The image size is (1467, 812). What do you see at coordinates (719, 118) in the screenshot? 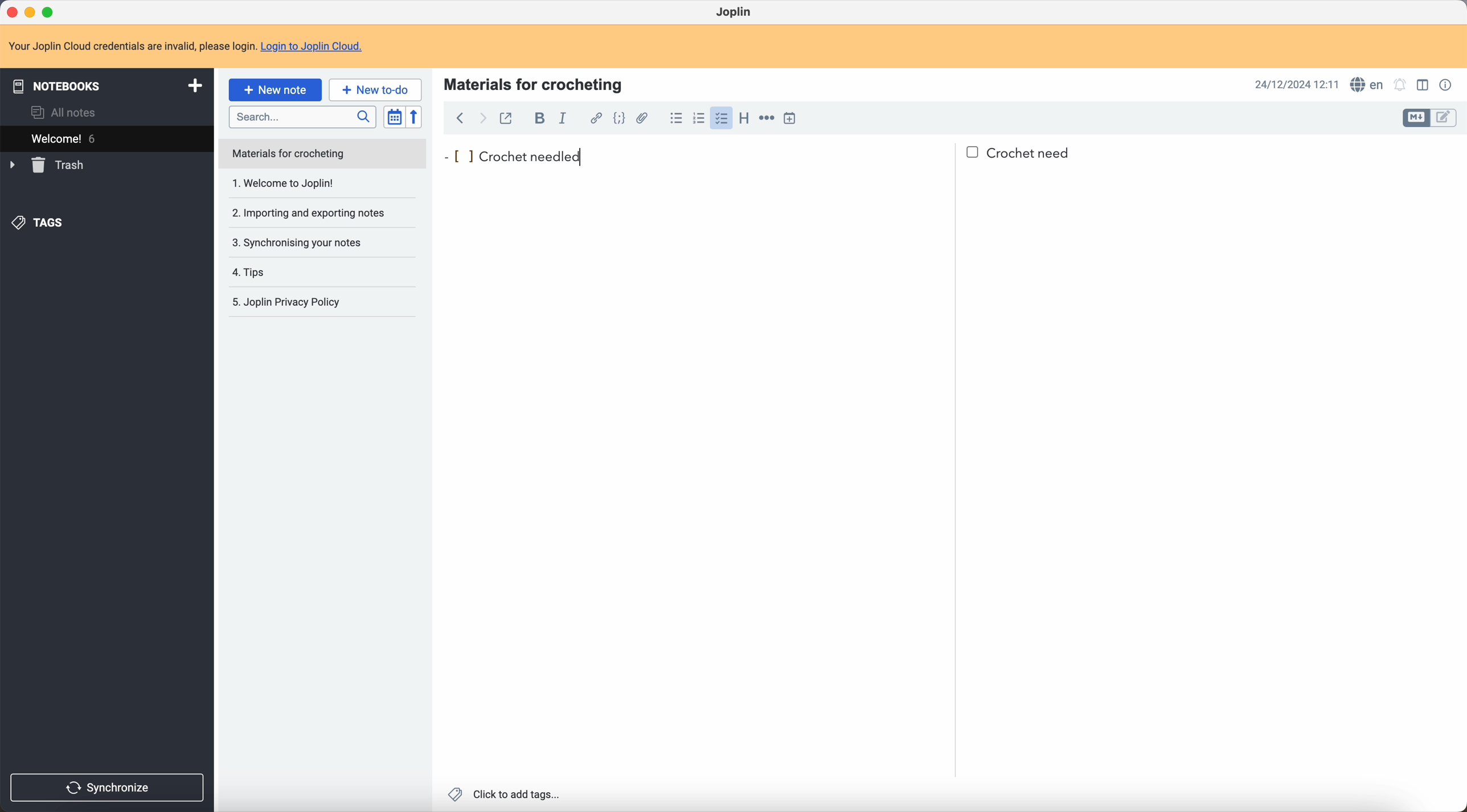
I see `click on checklist` at bounding box center [719, 118].